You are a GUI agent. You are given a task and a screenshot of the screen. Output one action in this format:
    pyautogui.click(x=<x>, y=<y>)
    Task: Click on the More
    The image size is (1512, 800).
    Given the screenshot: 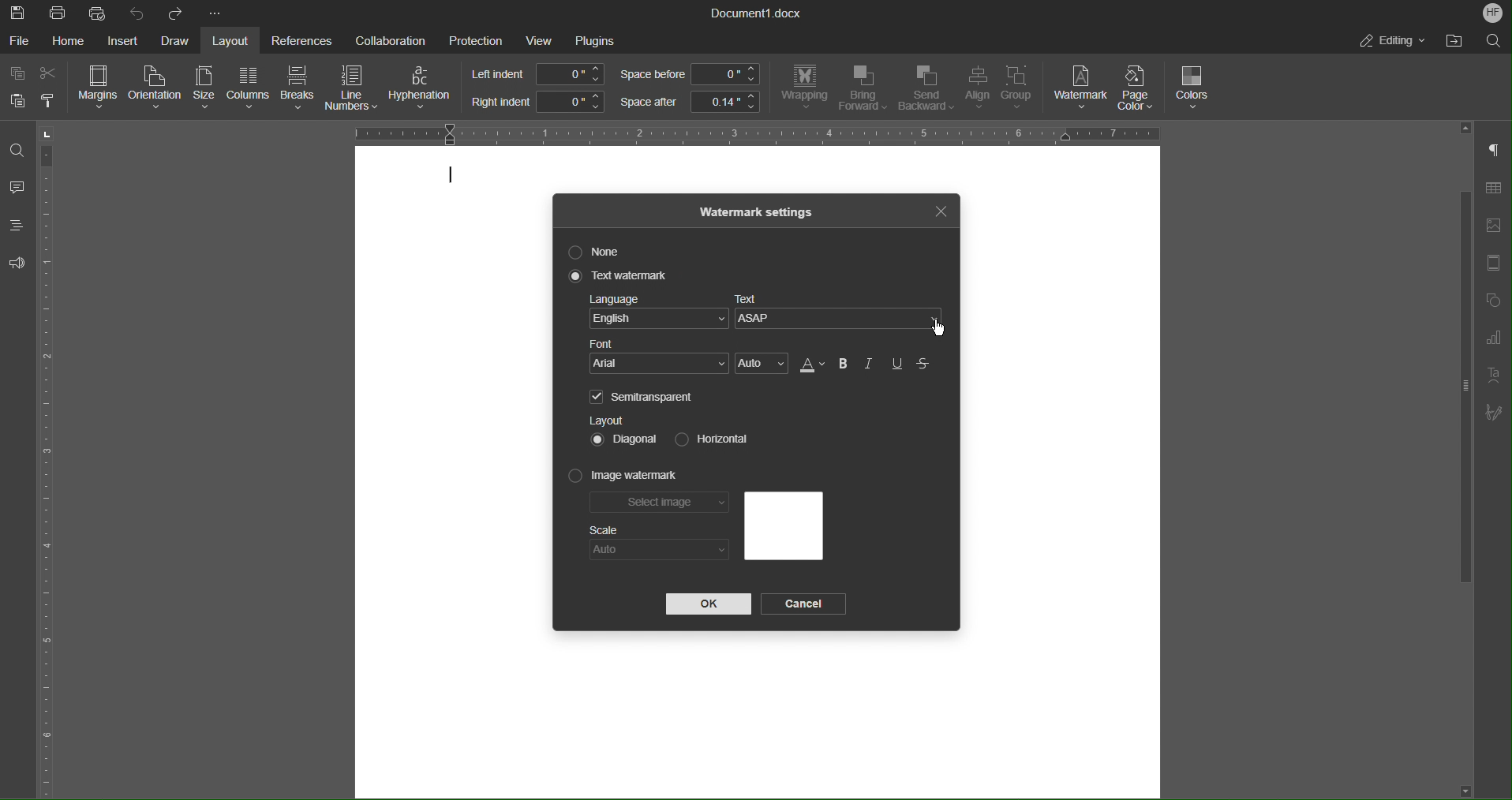 What is the action you would take?
    pyautogui.click(x=217, y=14)
    